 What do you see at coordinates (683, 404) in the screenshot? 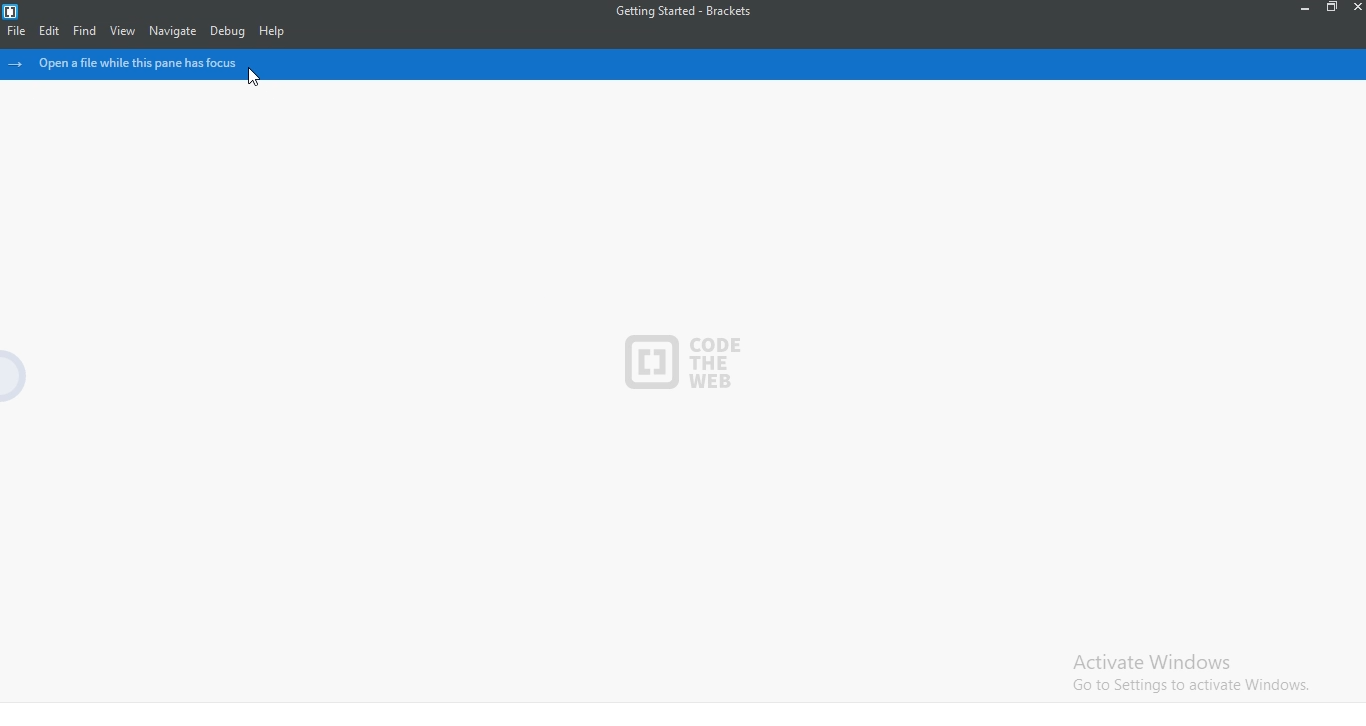
I see `code editor` at bounding box center [683, 404].